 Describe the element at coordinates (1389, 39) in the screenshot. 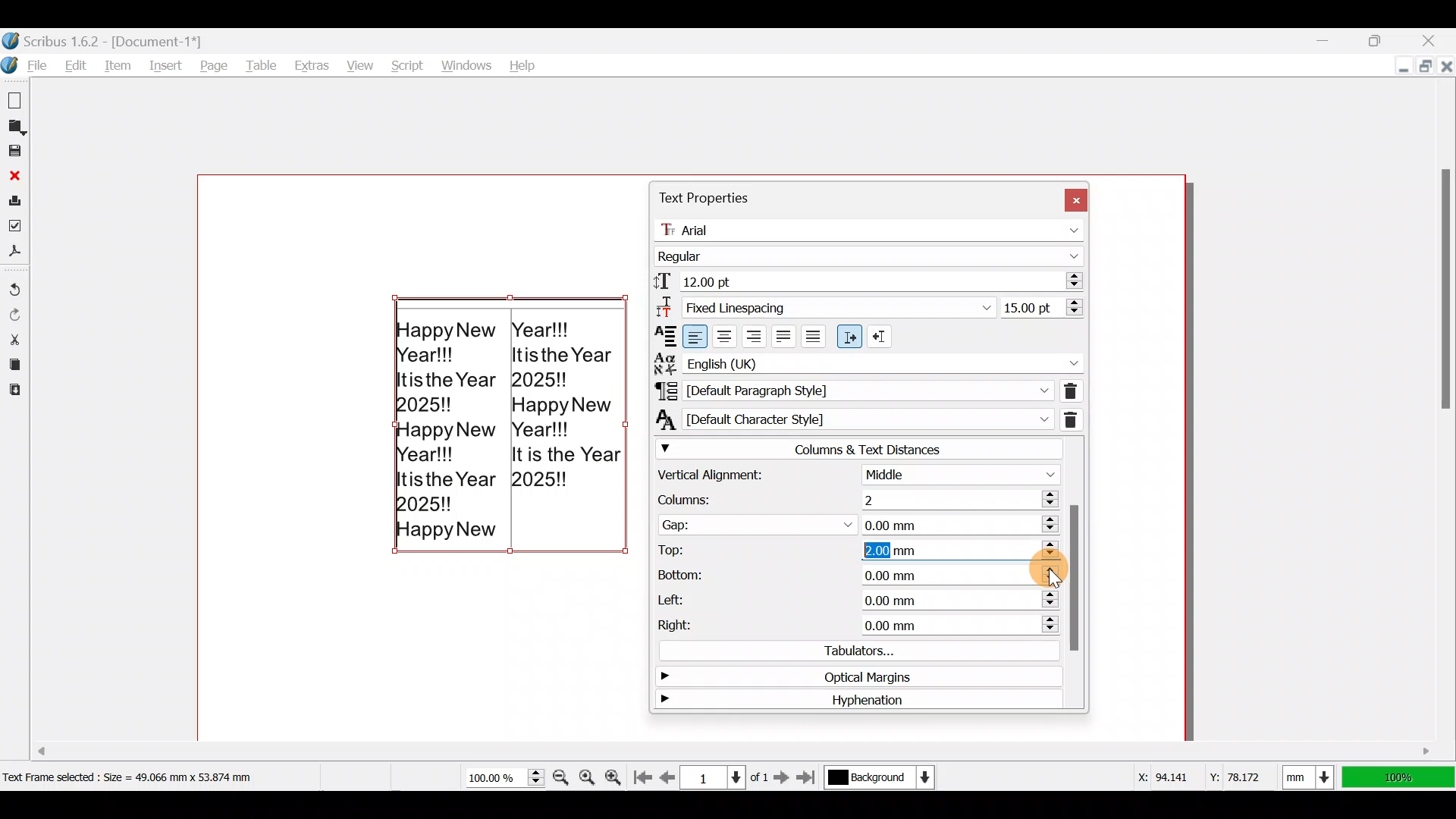

I see `Maximize` at that location.